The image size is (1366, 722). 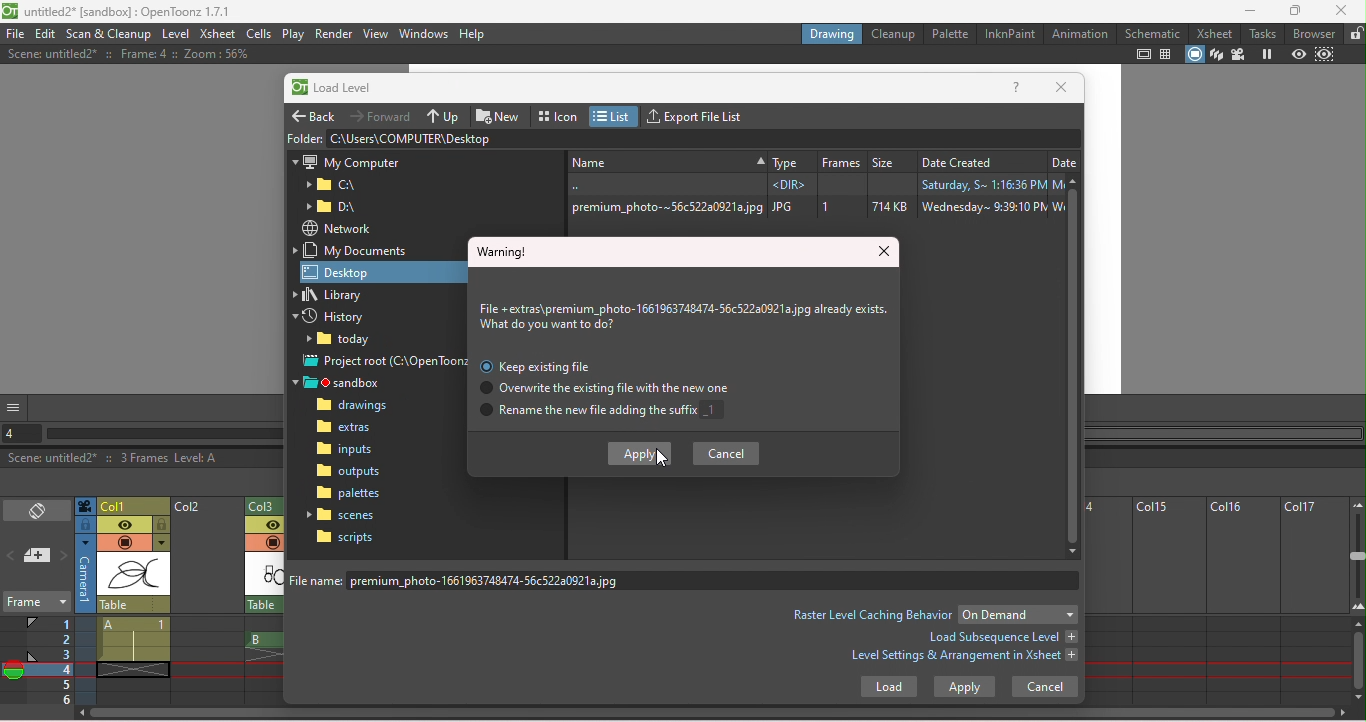 I want to click on Overwrite the existing file with the new one, so click(x=599, y=389).